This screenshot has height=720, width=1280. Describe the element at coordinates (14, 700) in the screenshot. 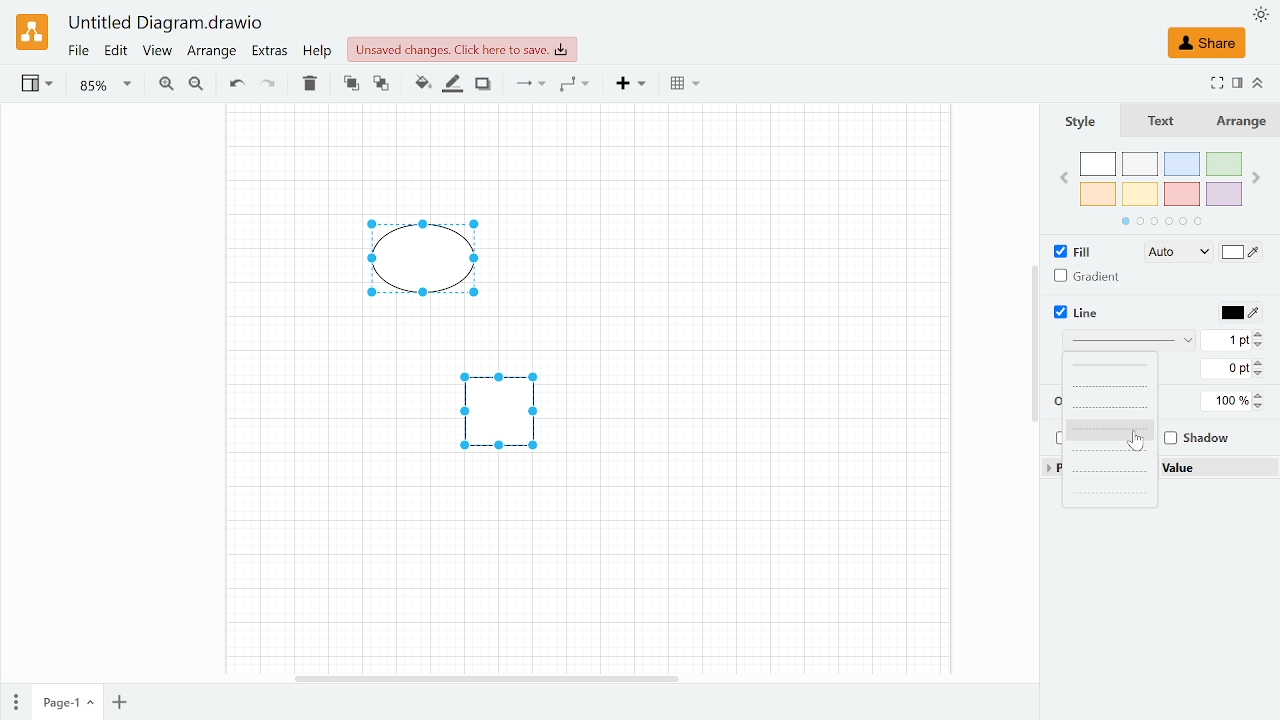

I see `Pages` at that location.